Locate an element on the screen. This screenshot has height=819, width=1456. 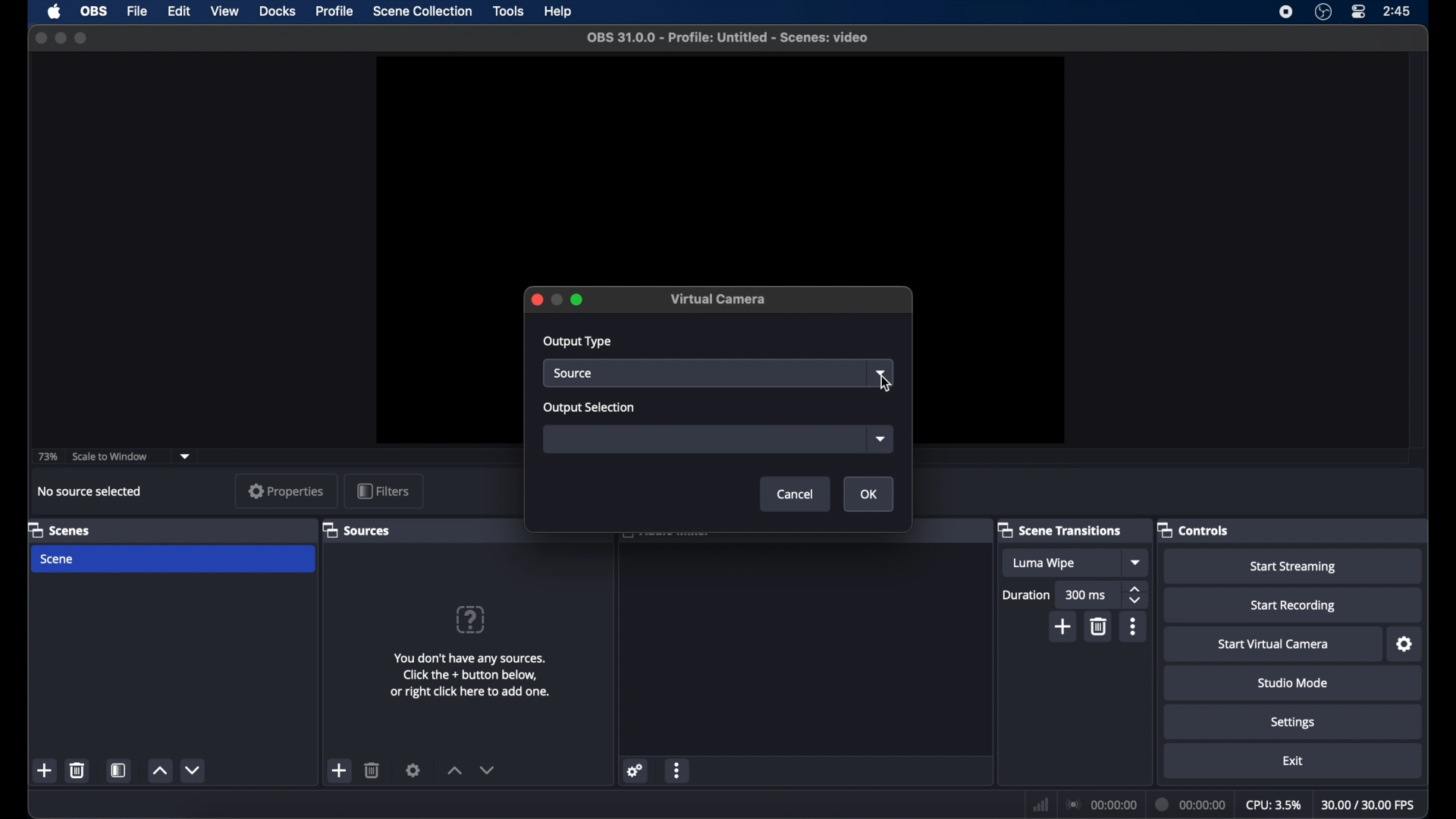
Input box is located at coordinates (698, 438).